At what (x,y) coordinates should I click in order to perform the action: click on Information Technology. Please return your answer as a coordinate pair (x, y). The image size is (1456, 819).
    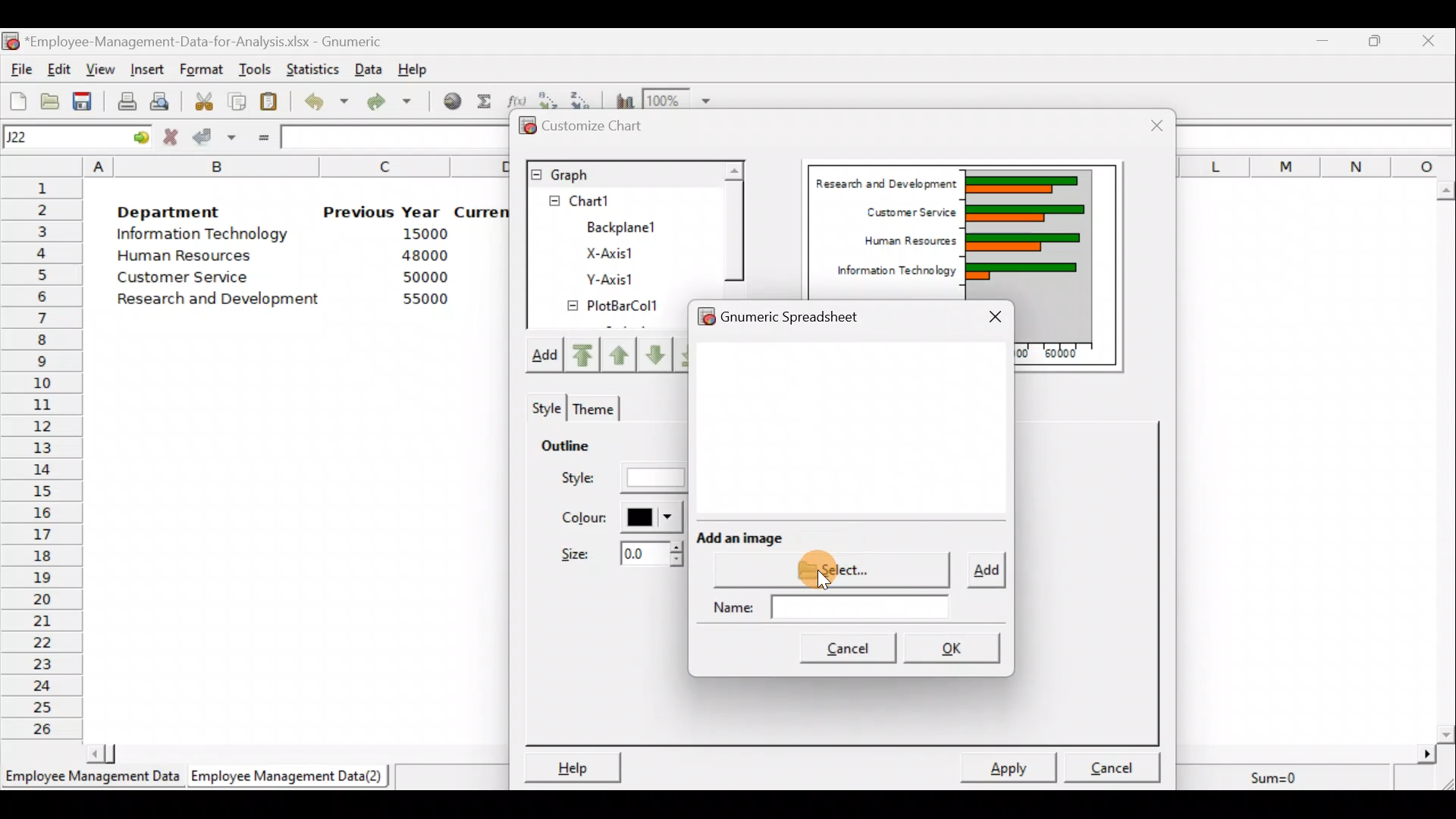
    Looking at the image, I should click on (203, 237).